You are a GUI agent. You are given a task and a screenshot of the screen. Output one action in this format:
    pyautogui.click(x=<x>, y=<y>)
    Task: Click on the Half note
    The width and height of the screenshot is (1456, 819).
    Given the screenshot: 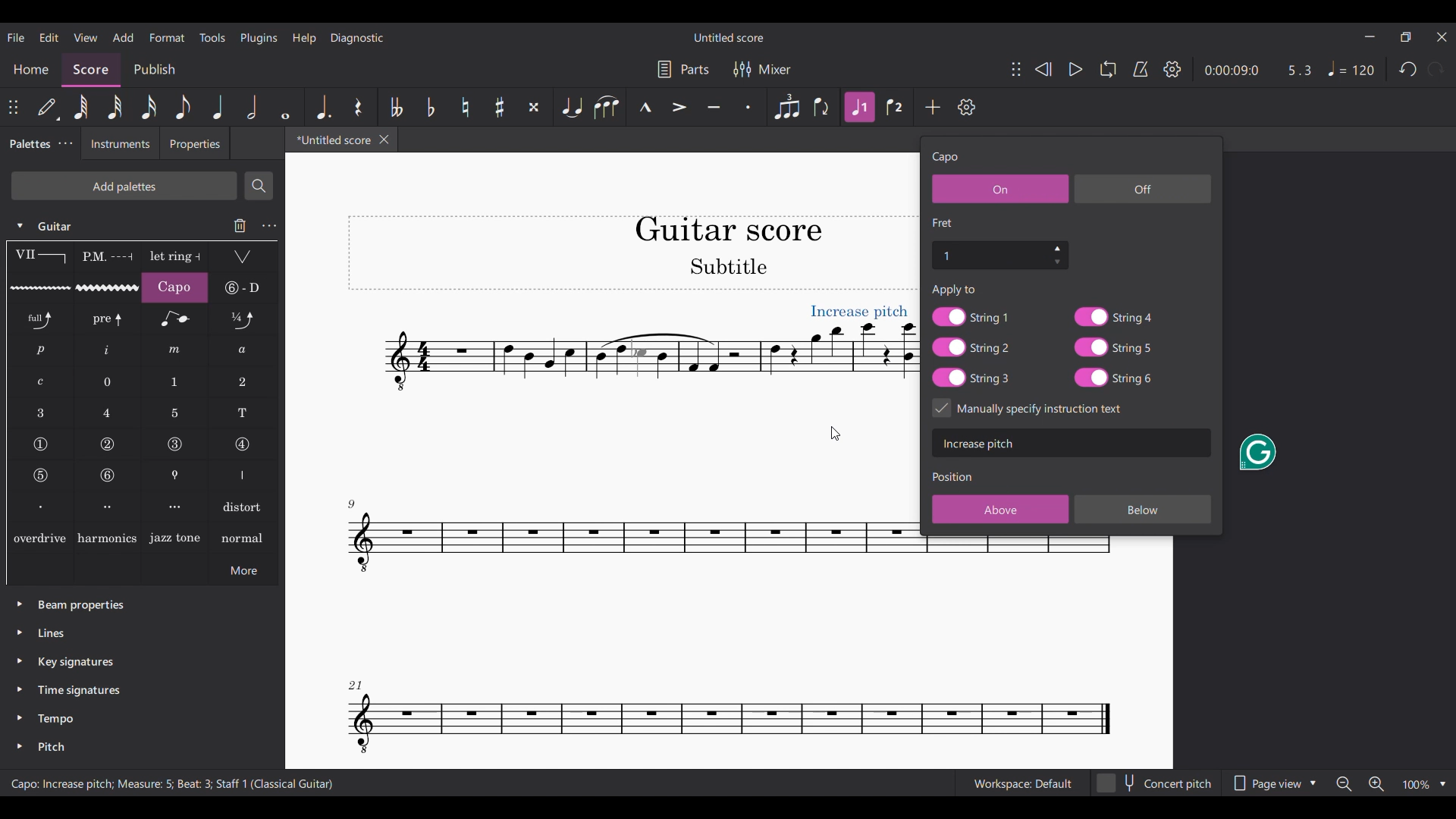 What is the action you would take?
    pyautogui.click(x=253, y=107)
    